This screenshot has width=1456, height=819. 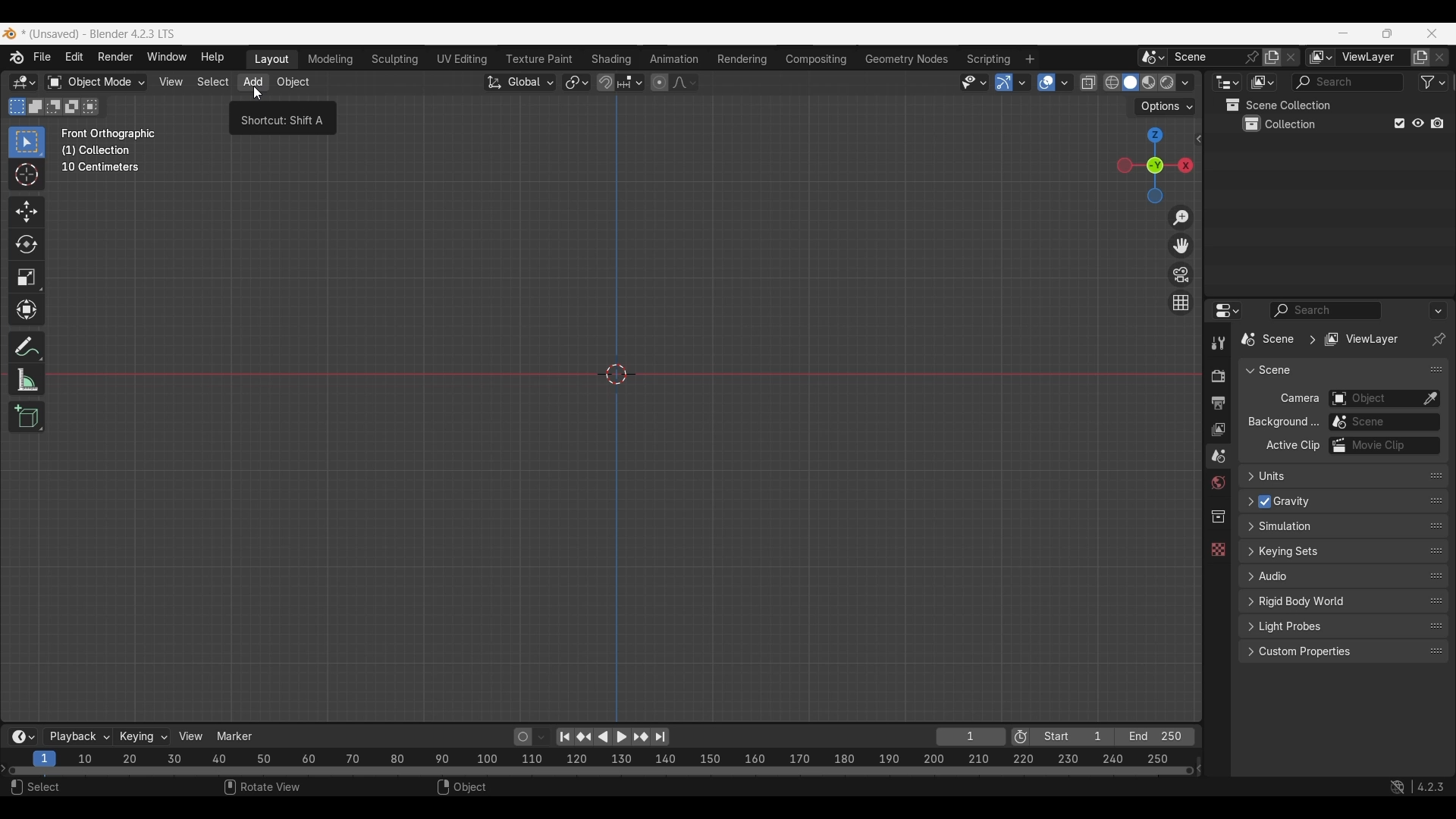 What do you see at coordinates (1332, 576) in the screenshot?
I see `Click to expand Audio` at bounding box center [1332, 576].